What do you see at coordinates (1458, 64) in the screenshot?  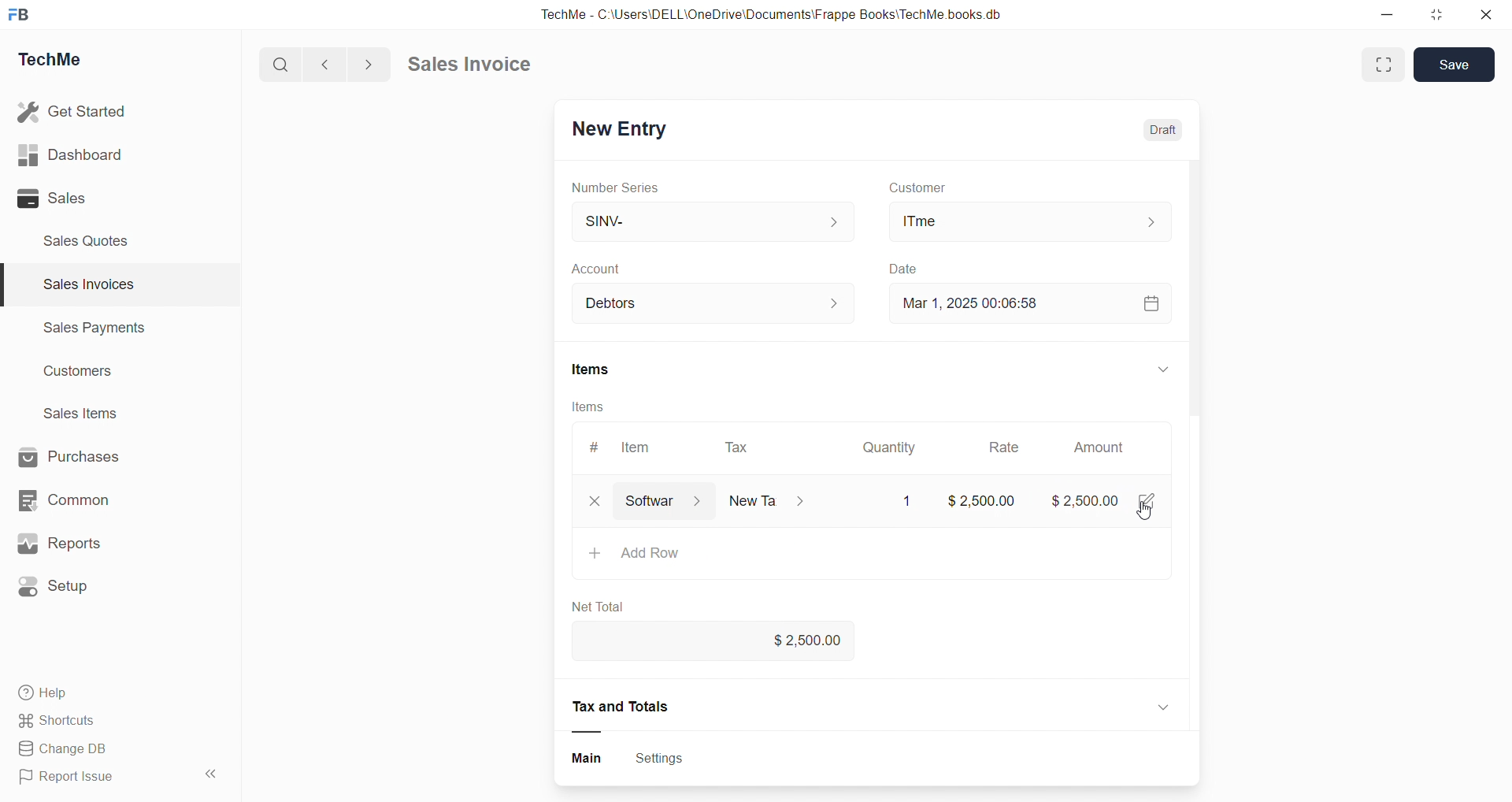 I see `Save` at bounding box center [1458, 64].